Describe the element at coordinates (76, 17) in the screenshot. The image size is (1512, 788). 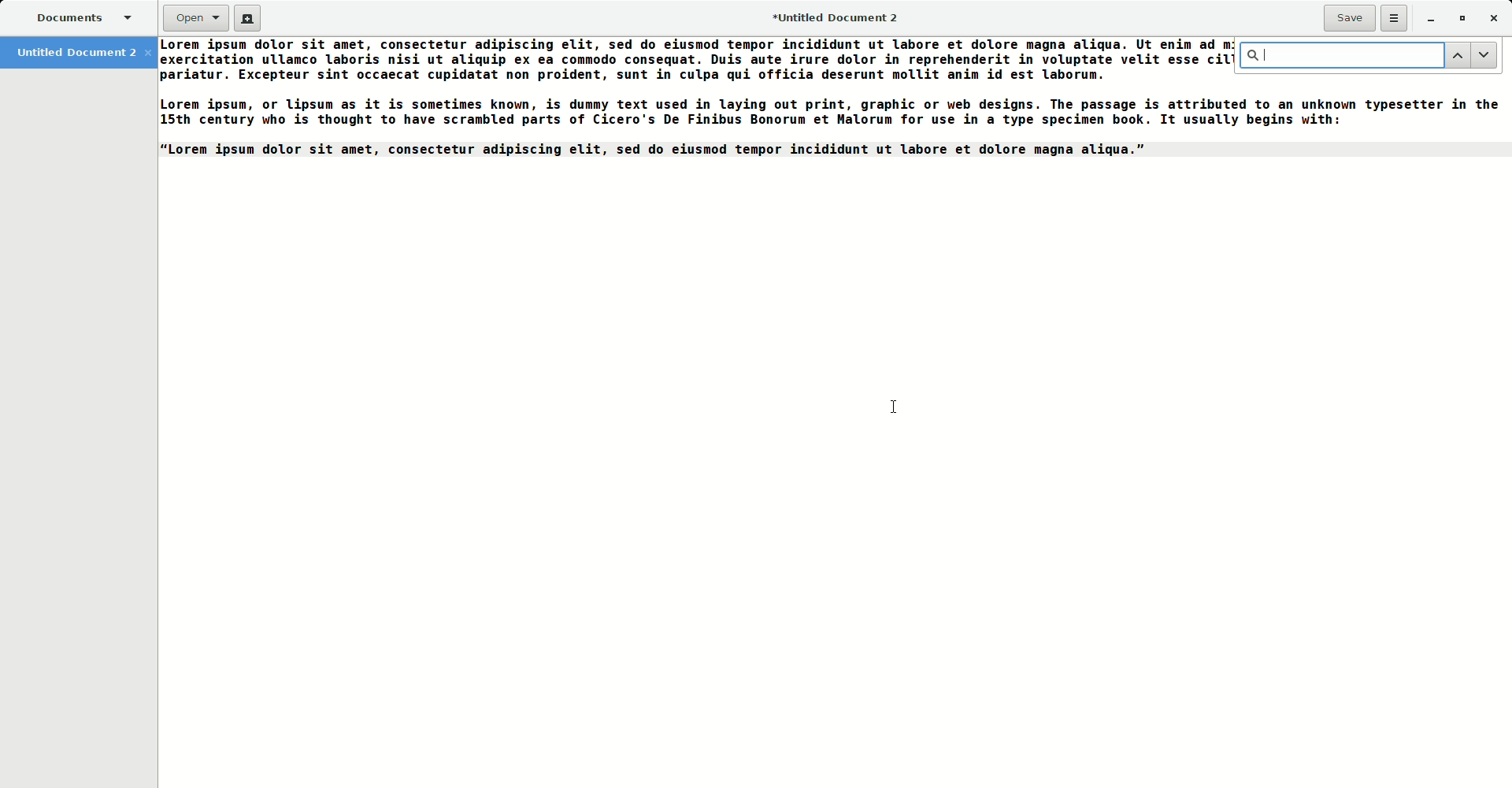
I see `Documents` at that location.